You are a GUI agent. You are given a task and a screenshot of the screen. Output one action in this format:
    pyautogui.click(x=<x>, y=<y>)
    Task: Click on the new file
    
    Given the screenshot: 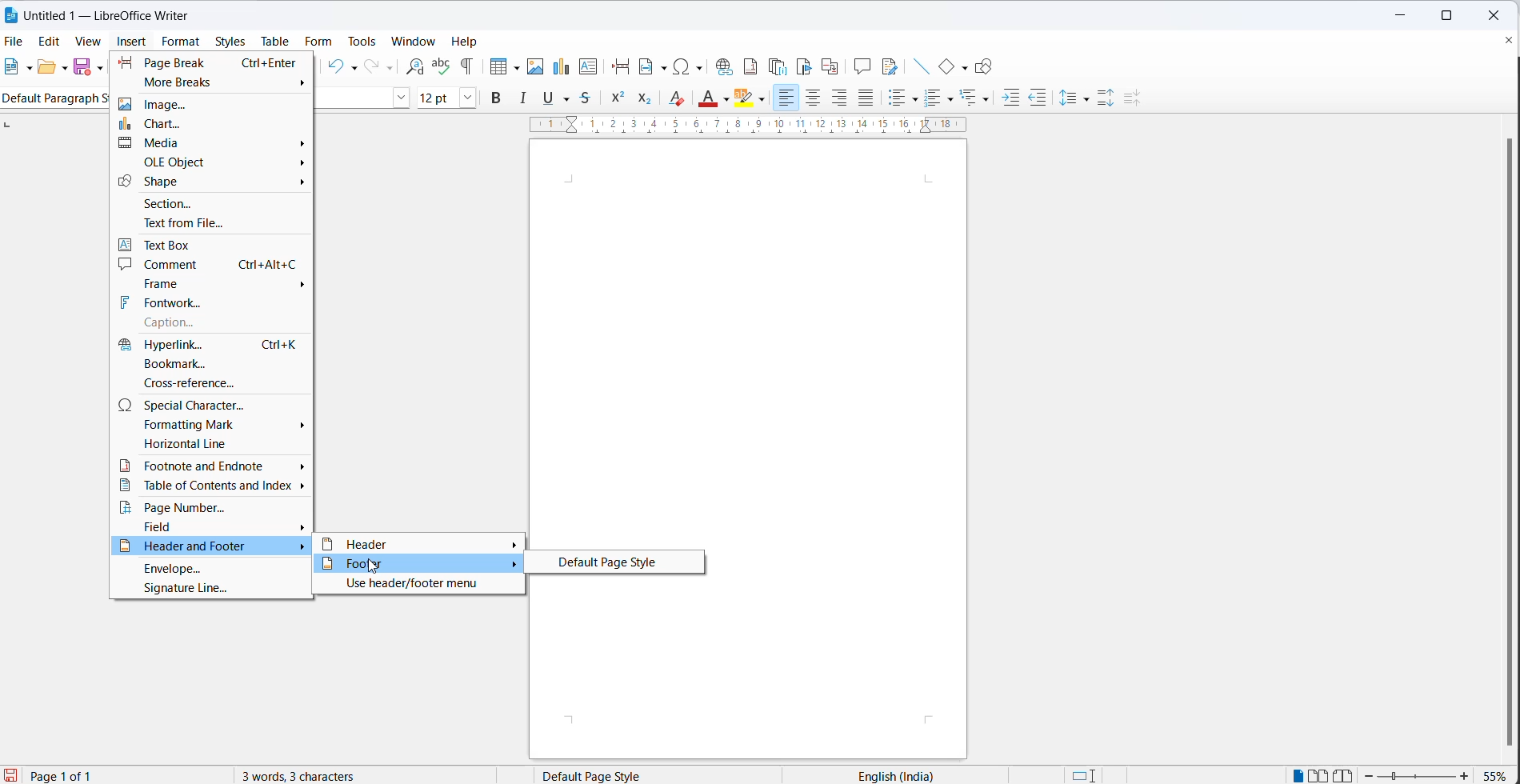 What is the action you would take?
    pyautogui.click(x=12, y=68)
    